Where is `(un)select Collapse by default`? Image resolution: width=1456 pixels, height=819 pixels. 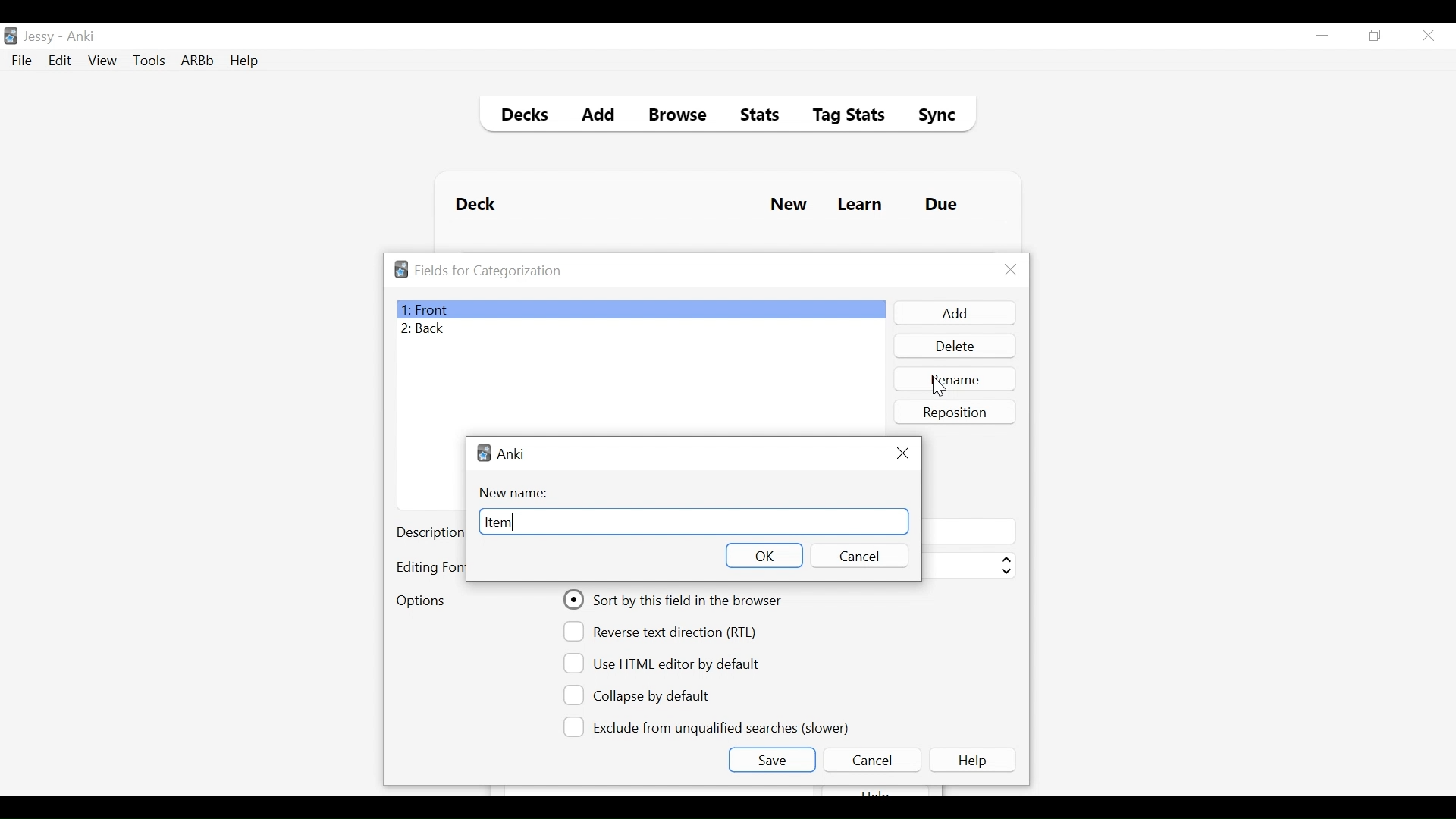
(un)select Collapse by default is located at coordinates (648, 695).